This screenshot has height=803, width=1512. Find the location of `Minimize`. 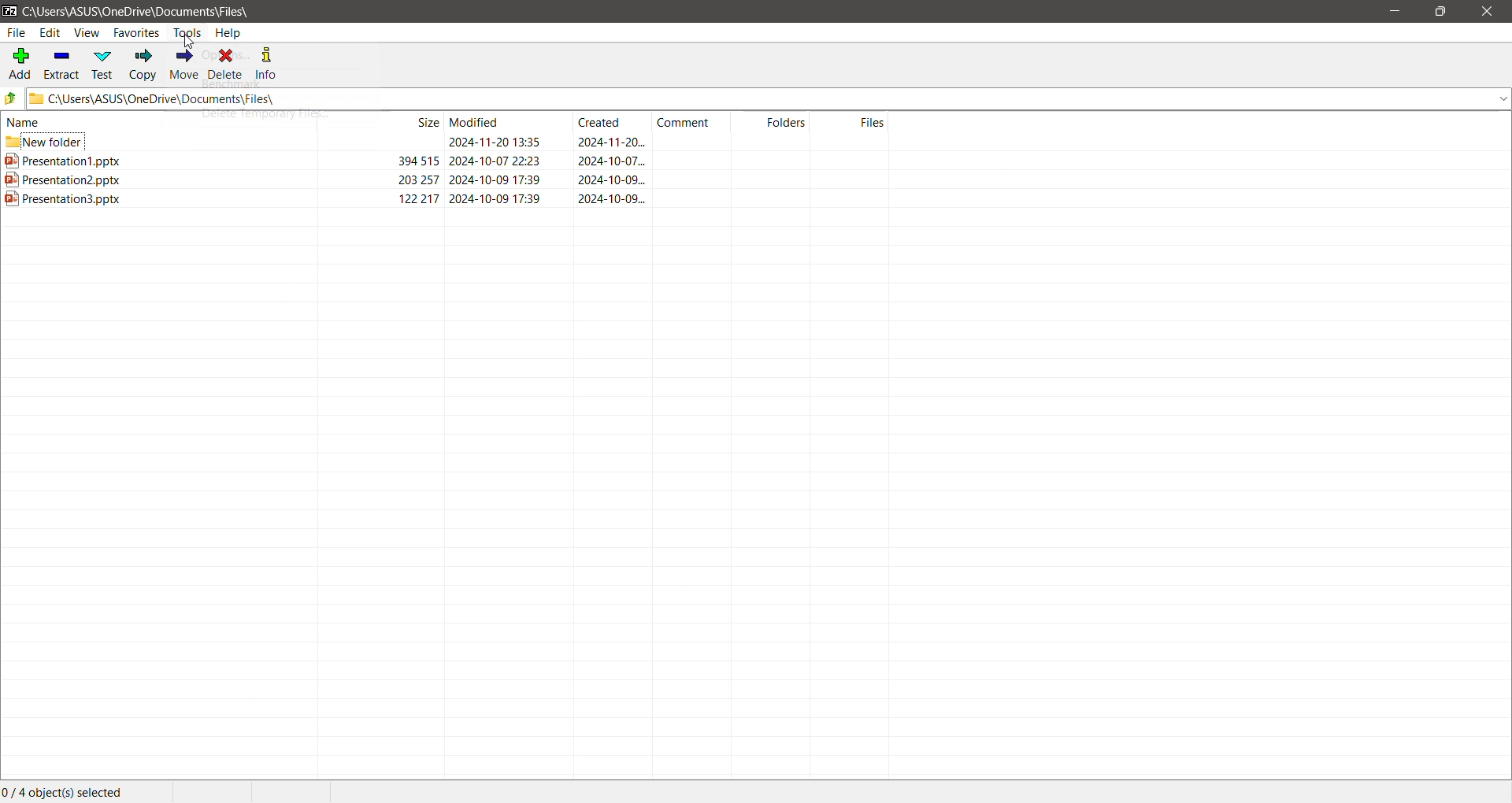

Minimize is located at coordinates (1394, 12).